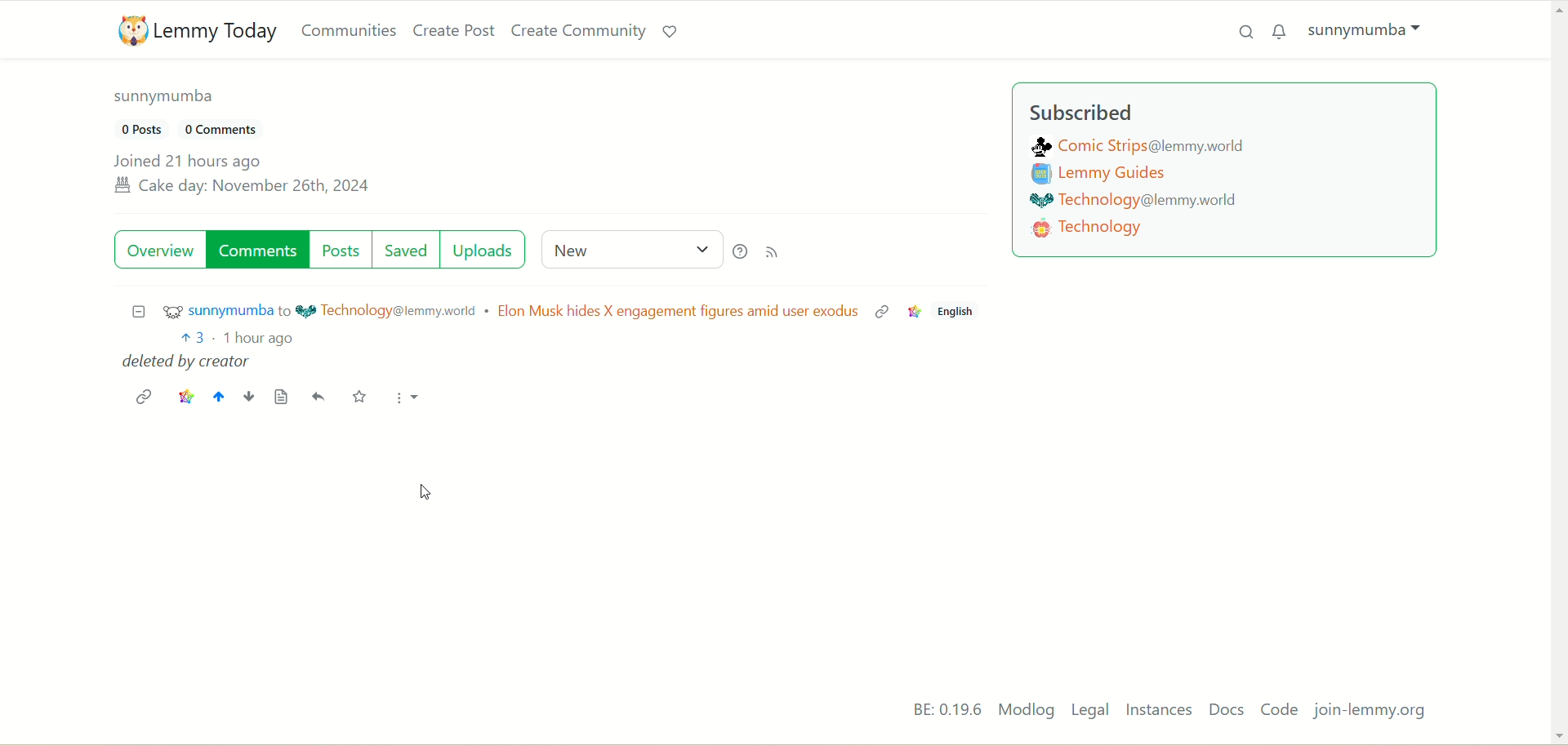 This screenshot has height=746, width=1568. Describe the element at coordinates (960, 311) in the screenshot. I see `English` at that location.